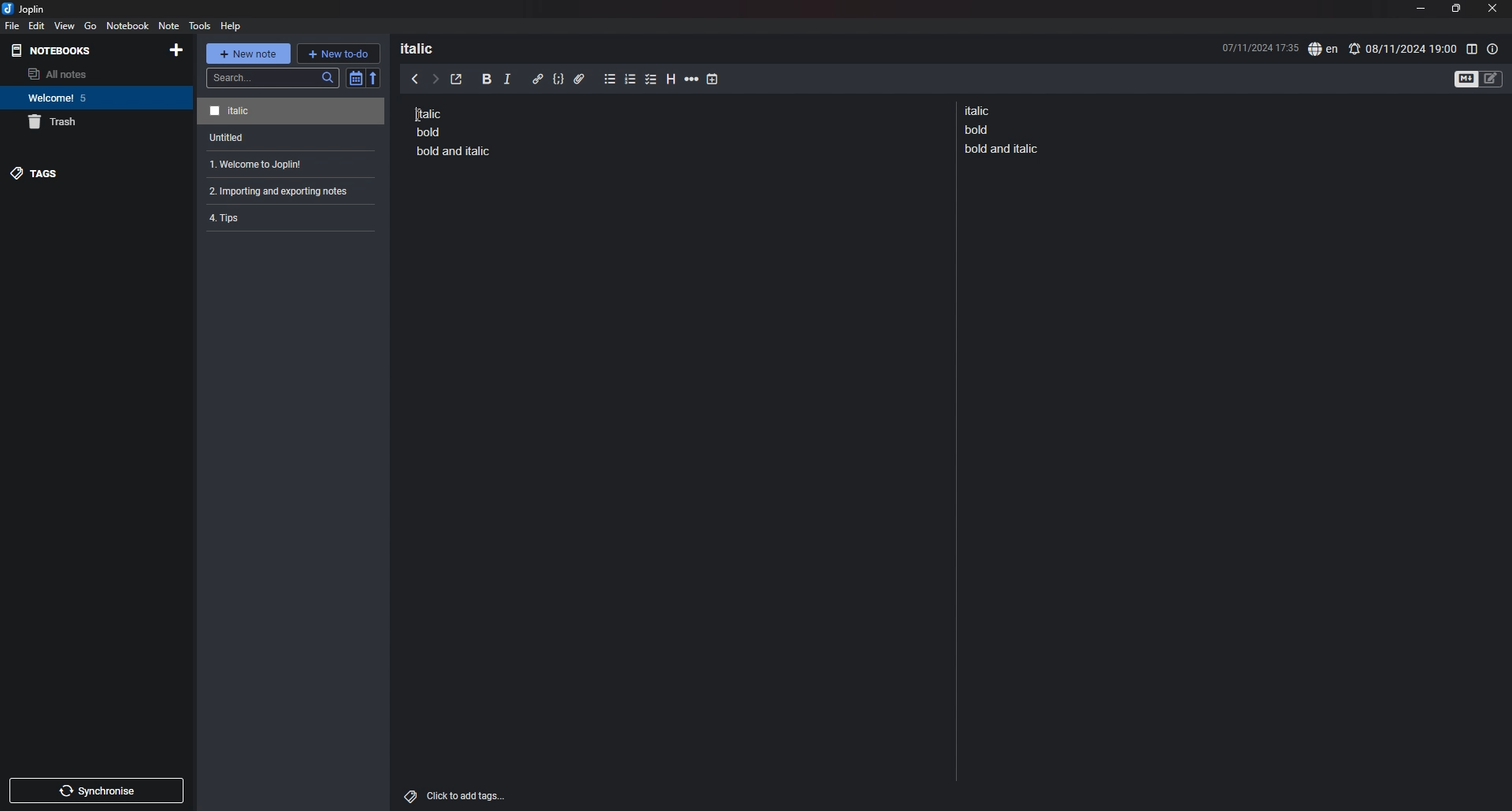 The width and height of the screenshot is (1512, 811). I want to click on bold, so click(487, 80).